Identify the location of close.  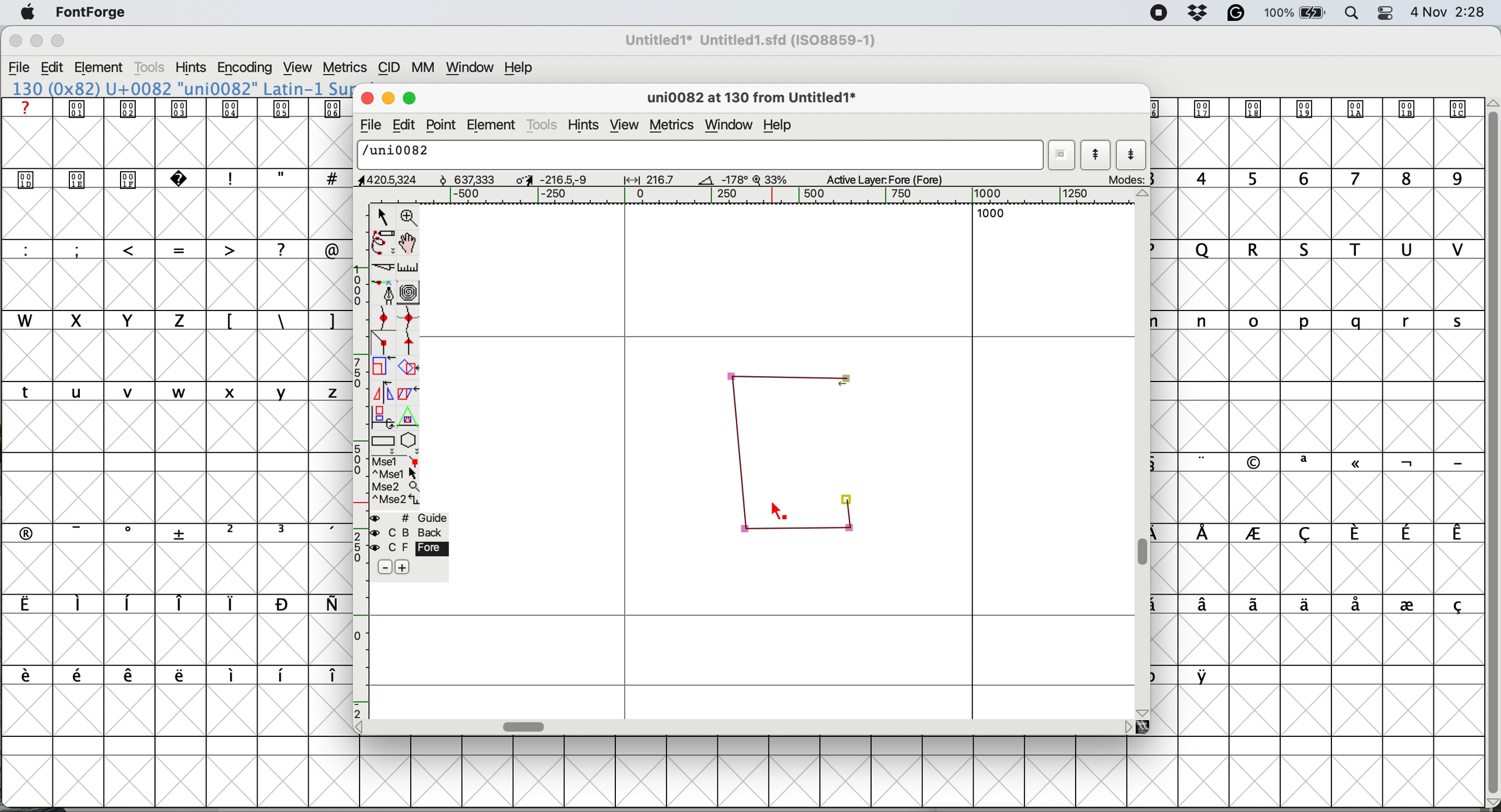
(365, 96).